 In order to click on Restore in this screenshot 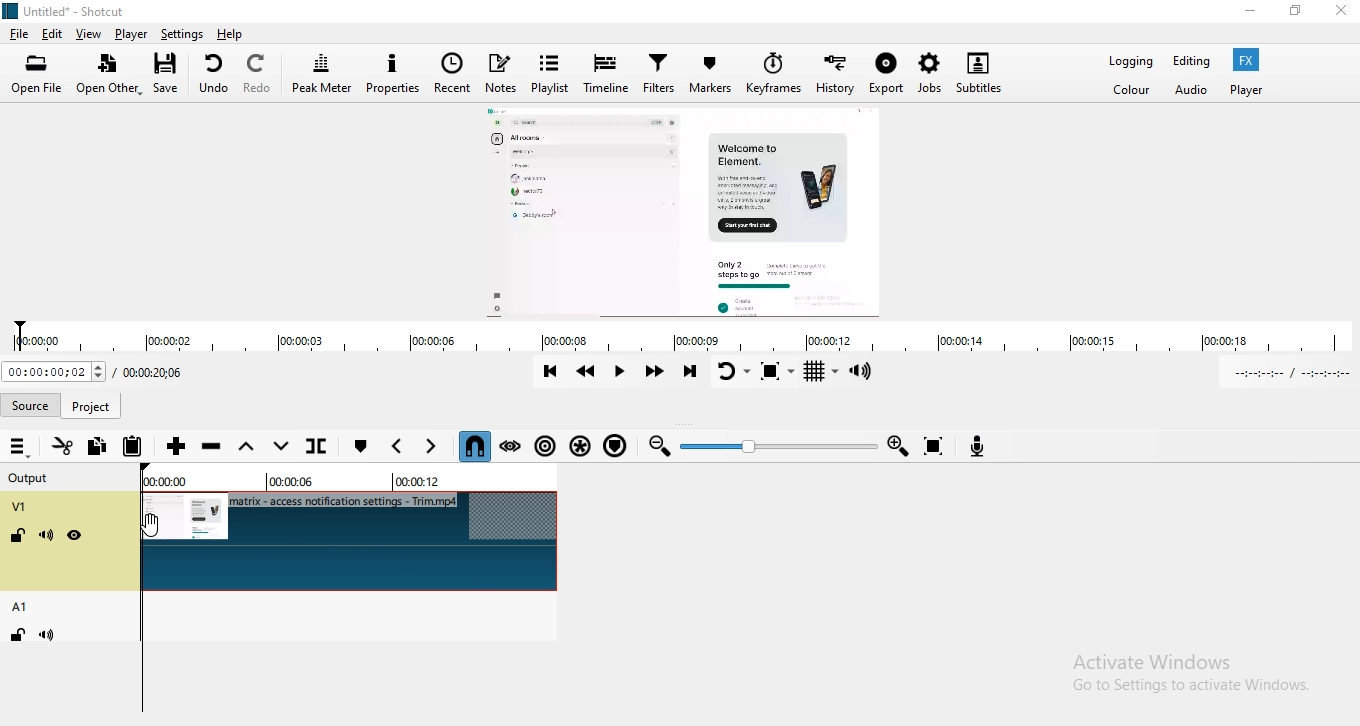, I will do `click(1296, 13)`.